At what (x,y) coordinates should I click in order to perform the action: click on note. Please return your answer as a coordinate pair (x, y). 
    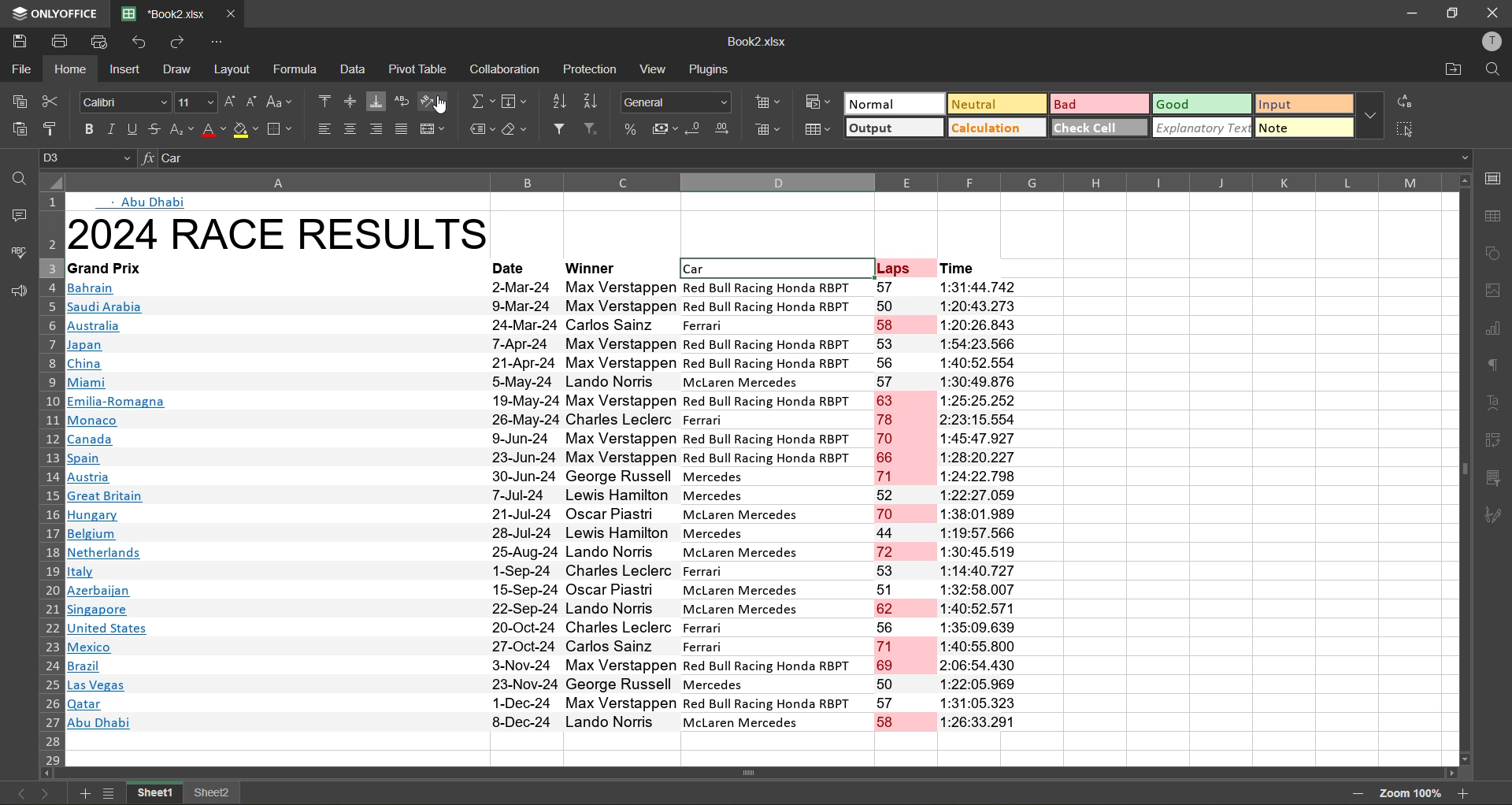
    Looking at the image, I should click on (1304, 128).